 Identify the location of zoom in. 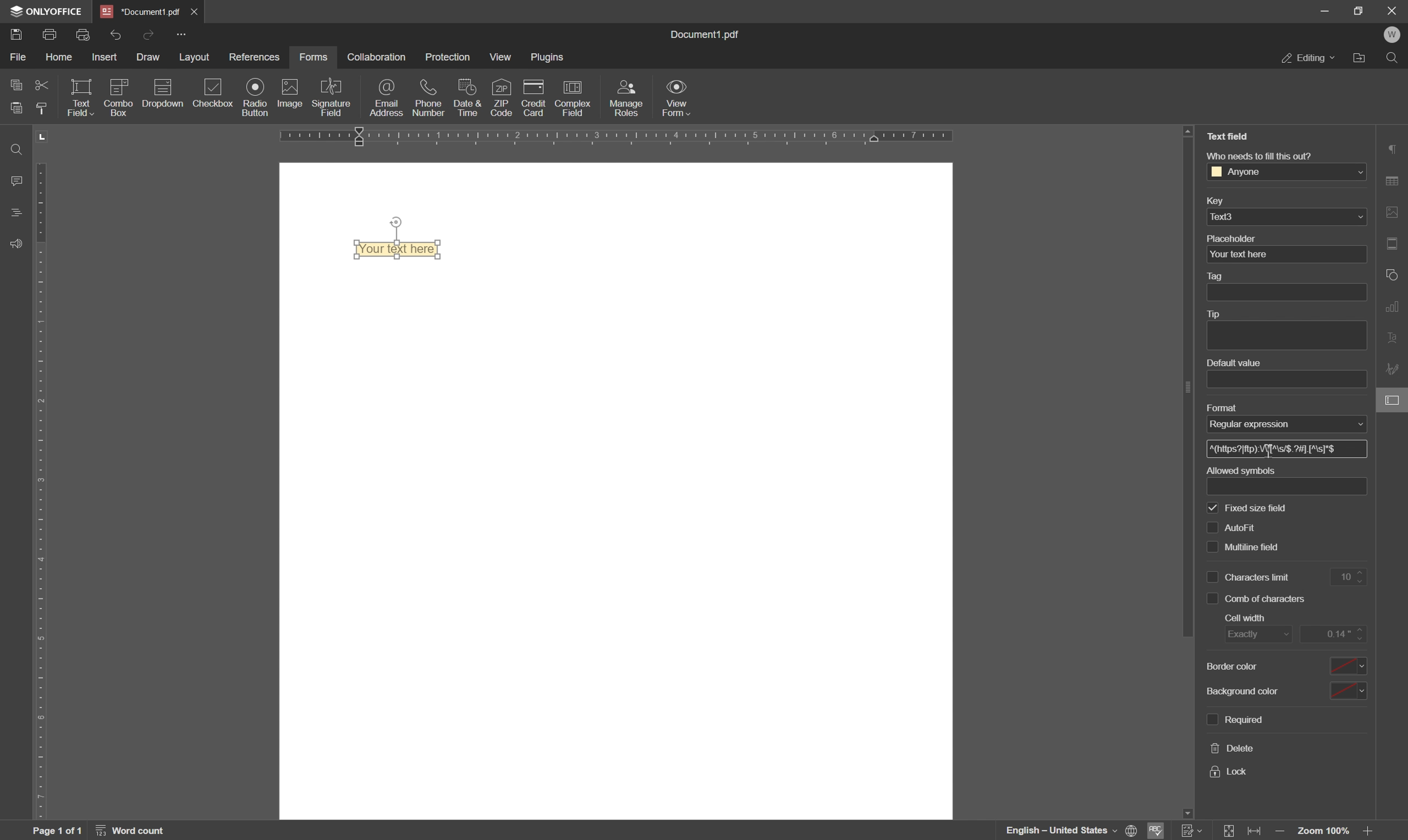
(1370, 832).